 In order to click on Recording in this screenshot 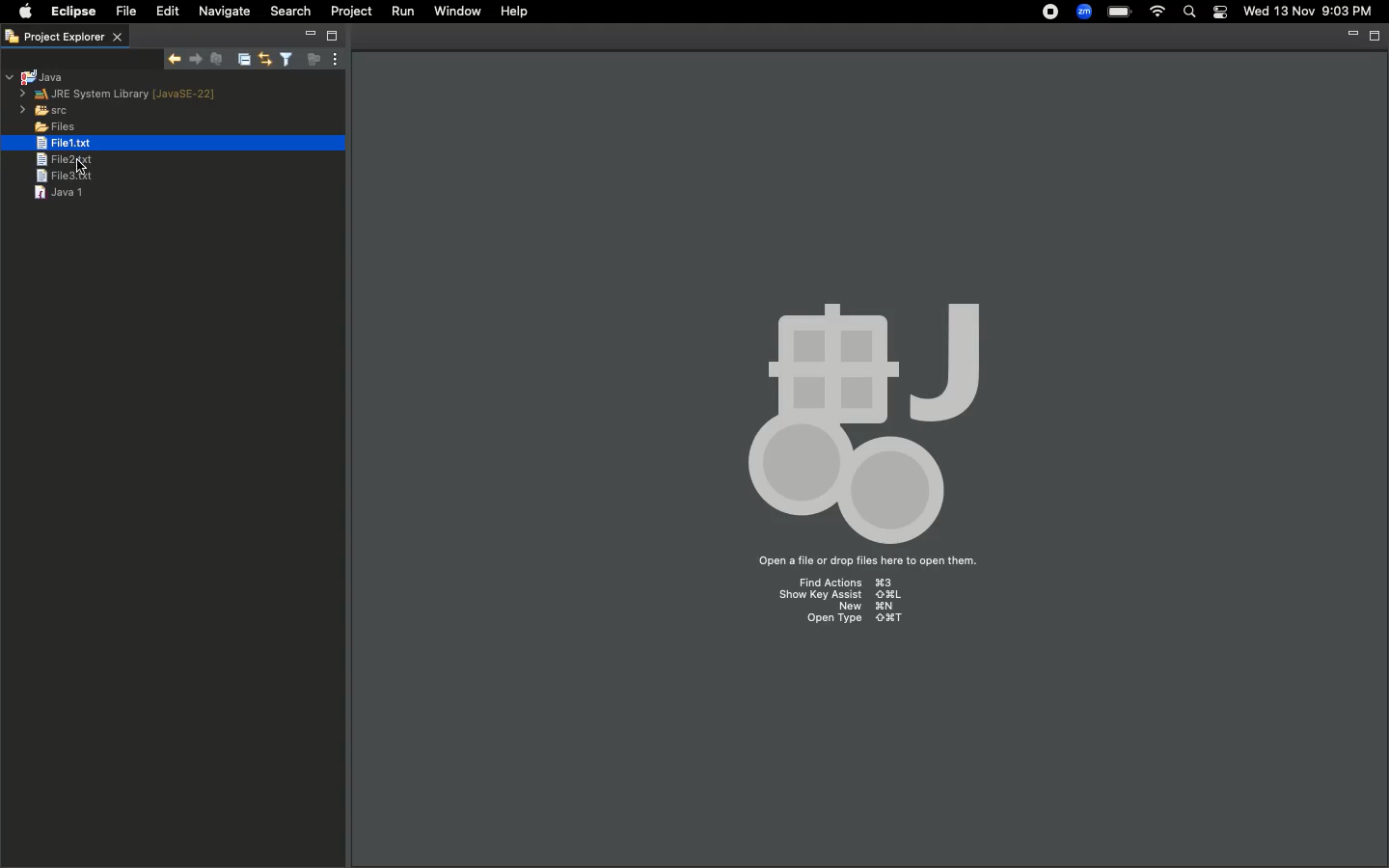, I will do `click(1046, 14)`.